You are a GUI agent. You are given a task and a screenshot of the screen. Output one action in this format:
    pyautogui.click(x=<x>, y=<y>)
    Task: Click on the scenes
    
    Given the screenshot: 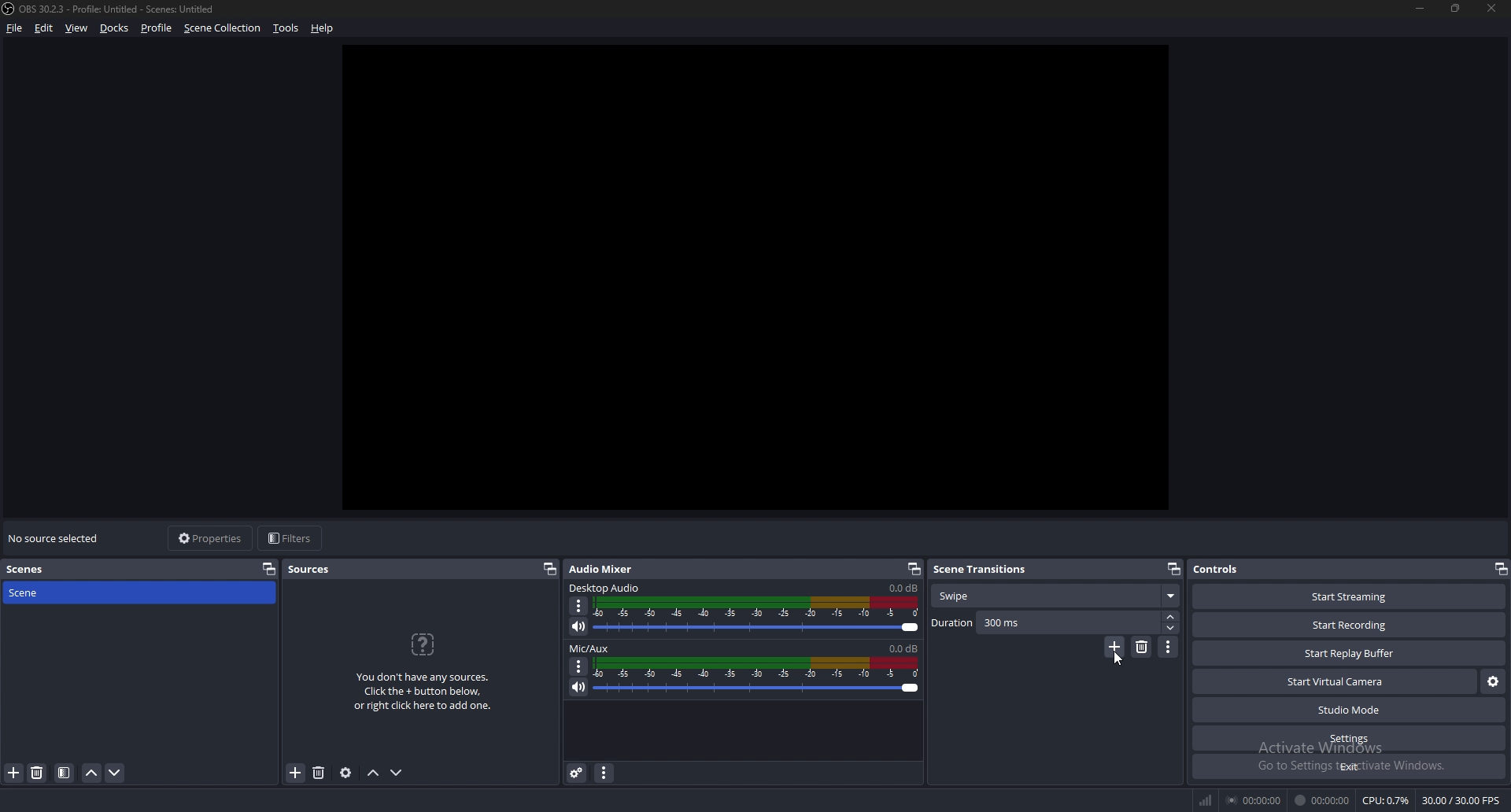 What is the action you would take?
    pyautogui.click(x=54, y=570)
    